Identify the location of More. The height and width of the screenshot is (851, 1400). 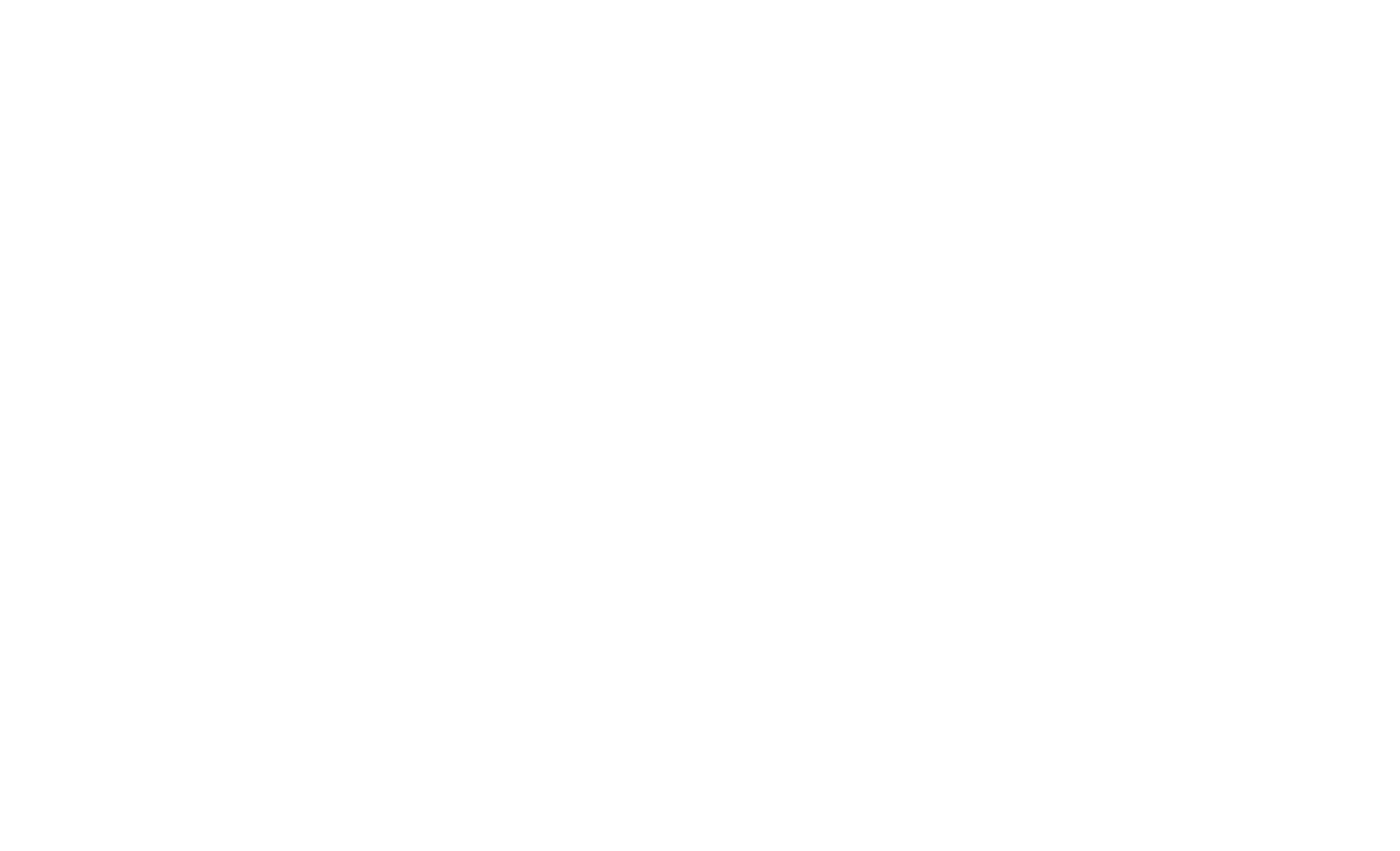
(621, 805).